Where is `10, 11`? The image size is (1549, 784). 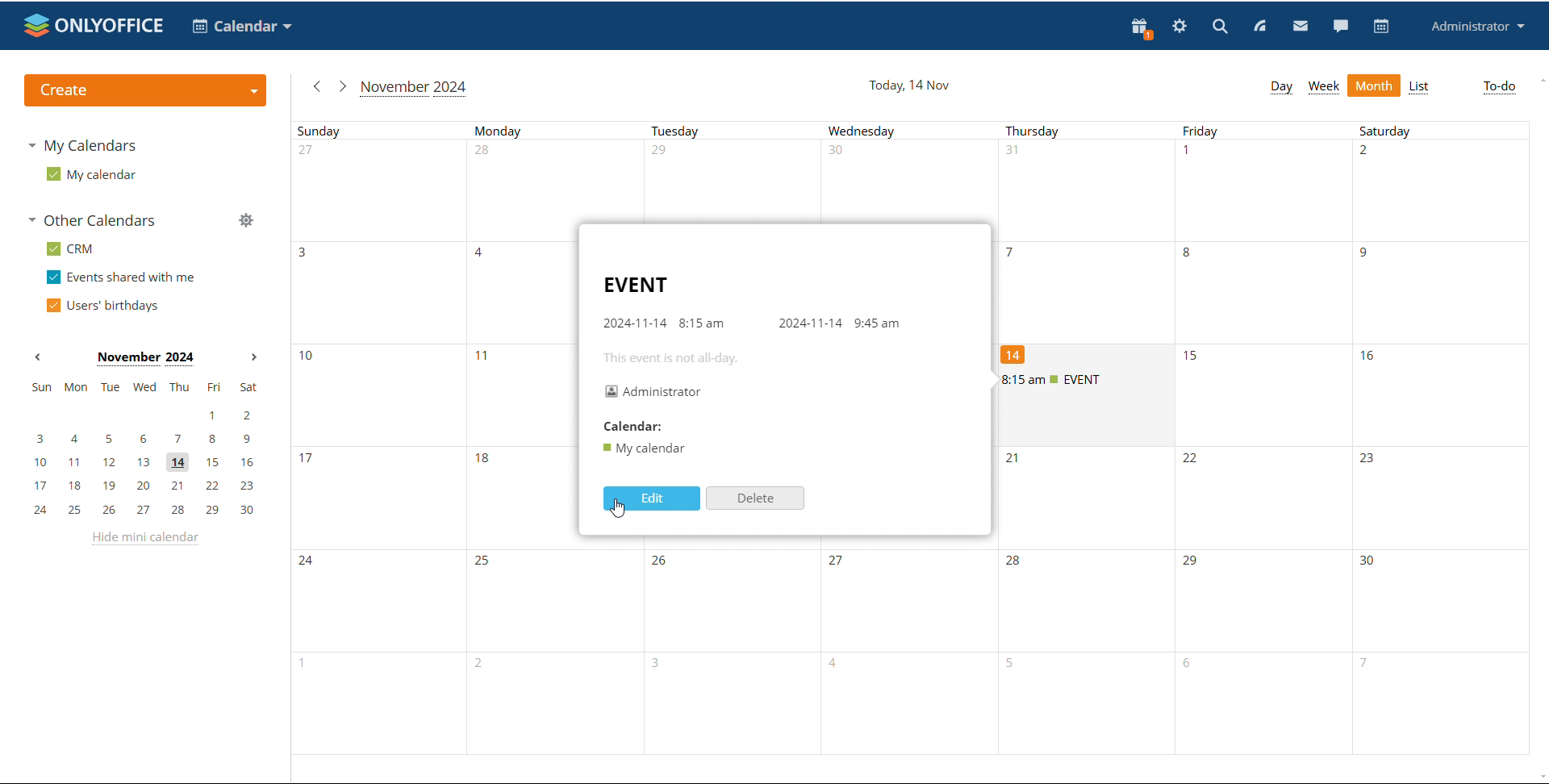 10, 11 is located at coordinates (430, 393).